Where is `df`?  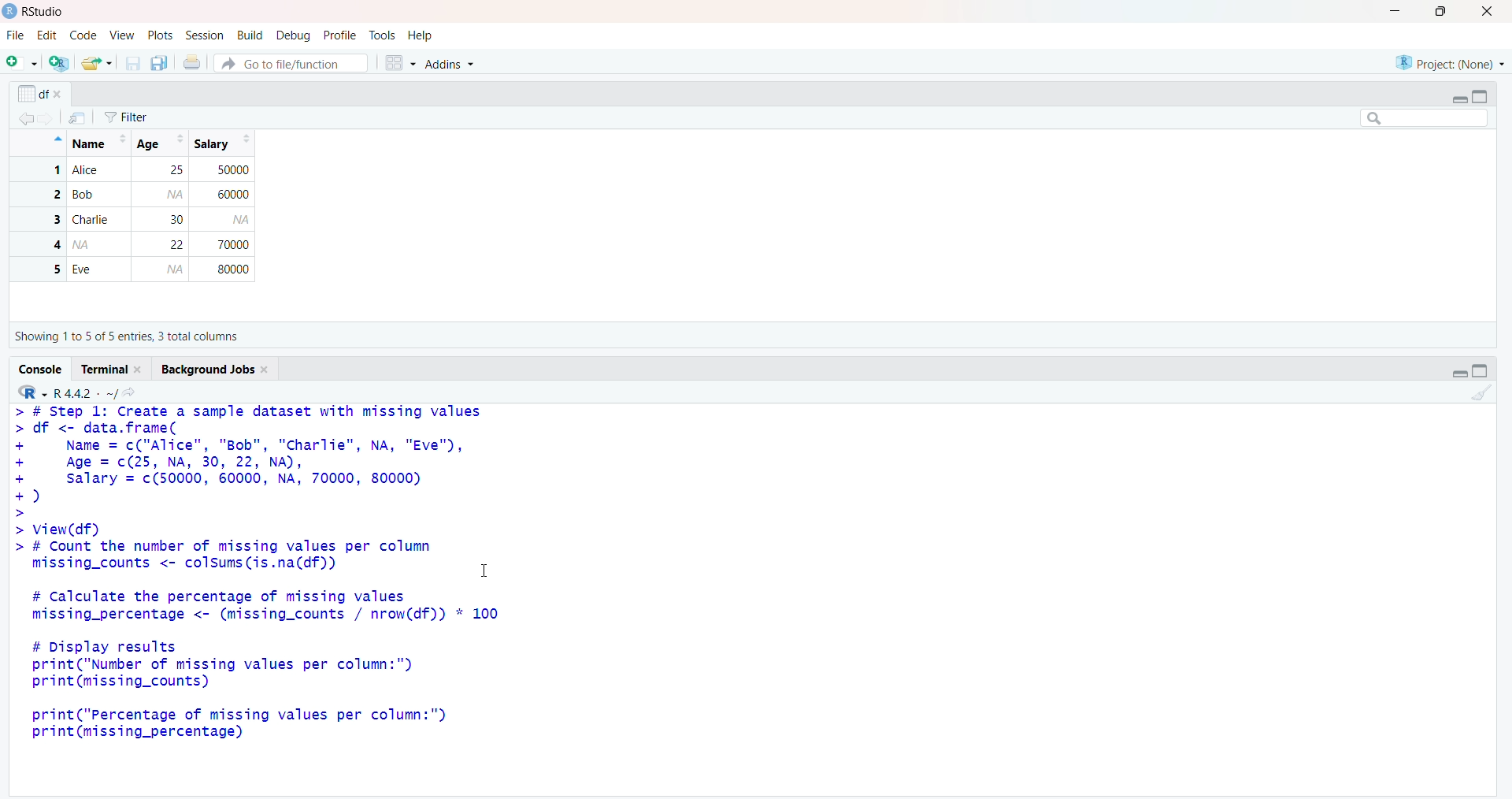 df is located at coordinates (41, 91).